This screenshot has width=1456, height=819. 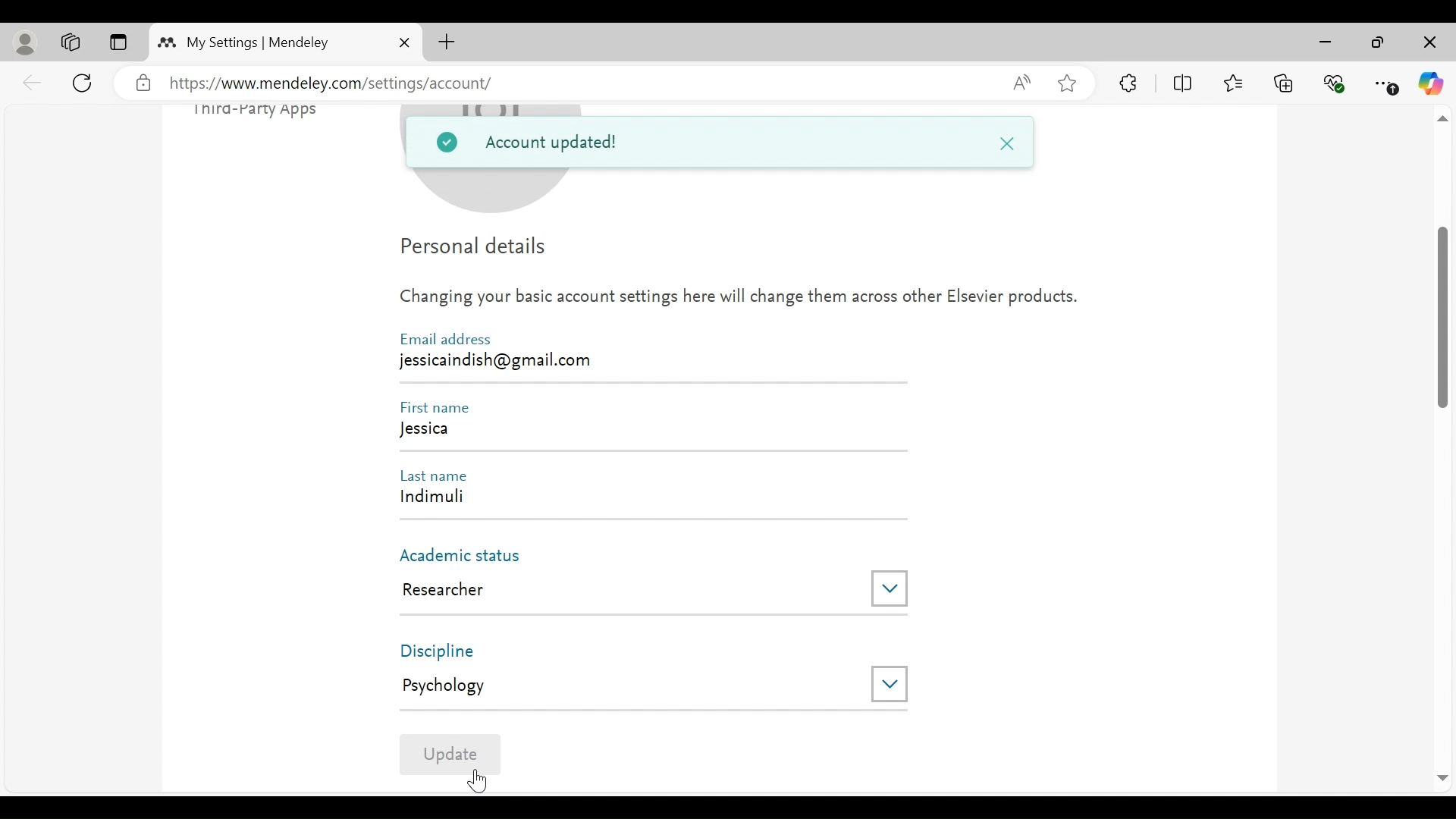 What do you see at coordinates (118, 43) in the screenshot?
I see `Tab Actions Menu` at bounding box center [118, 43].